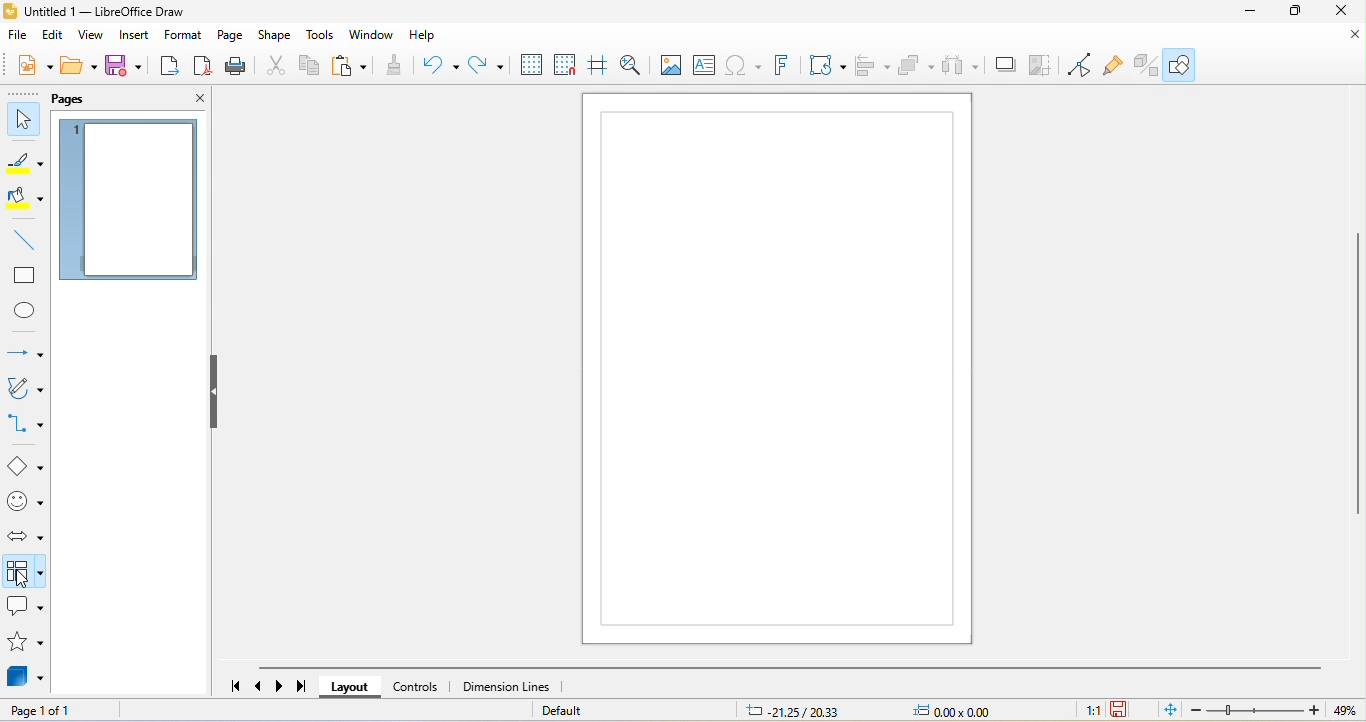  What do you see at coordinates (24, 352) in the screenshot?
I see `lines and arrow` at bounding box center [24, 352].